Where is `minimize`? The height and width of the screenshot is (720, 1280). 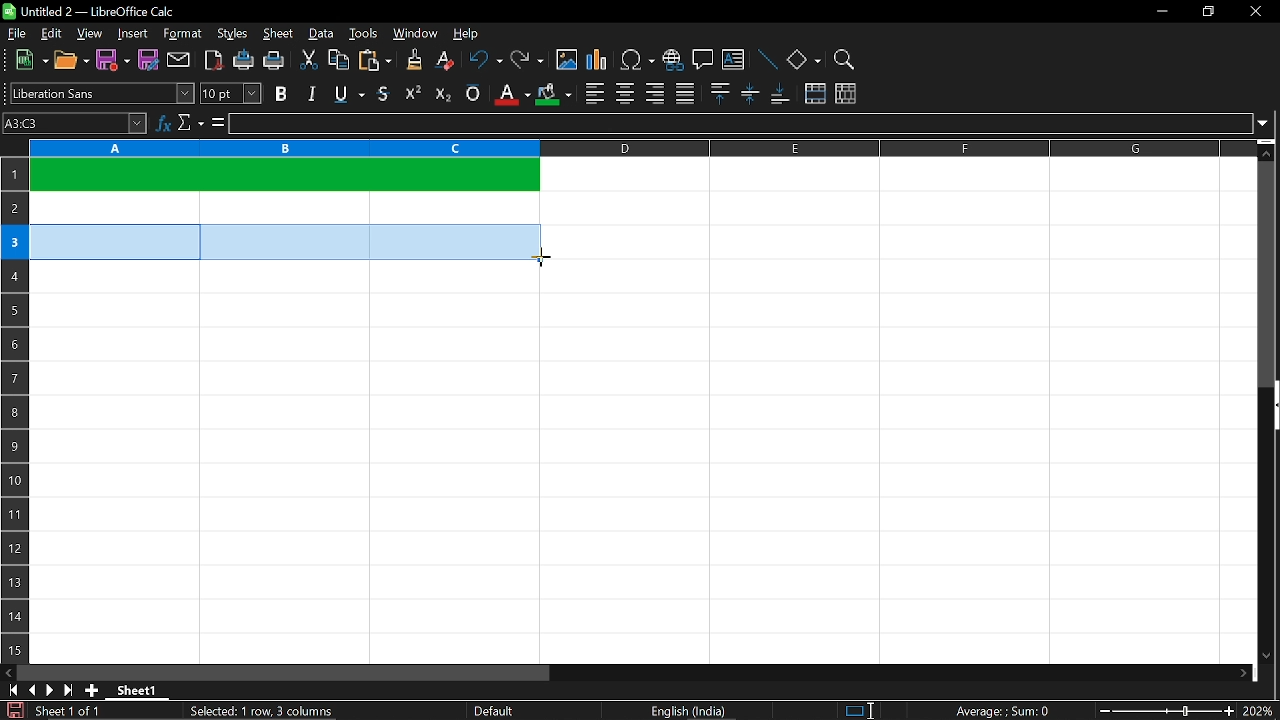
minimize is located at coordinates (1162, 10).